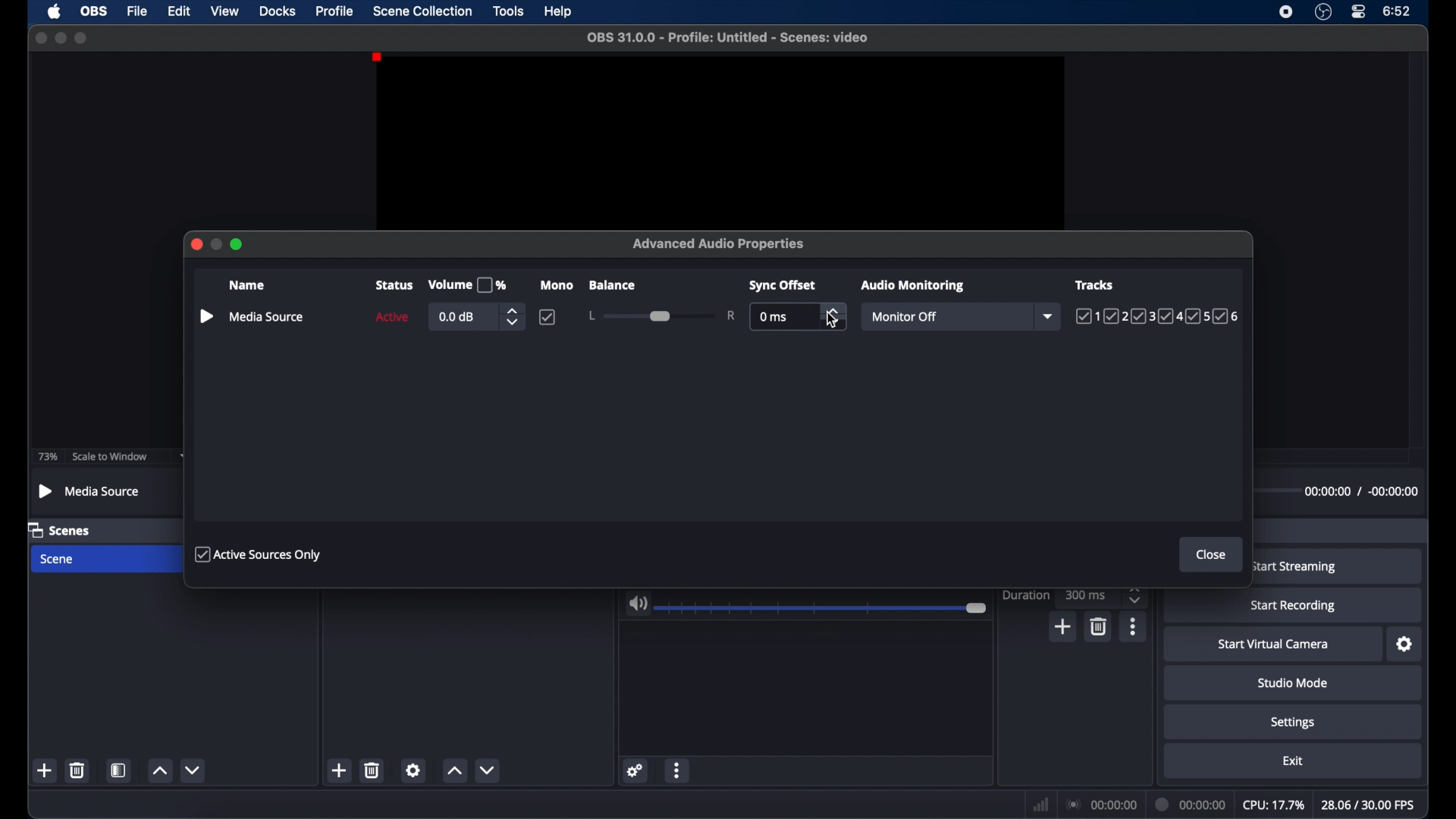  What do you see at coordinates (1046, 316) in the screenshot?
I see `dropdown` at bounding box center [1046, 316].